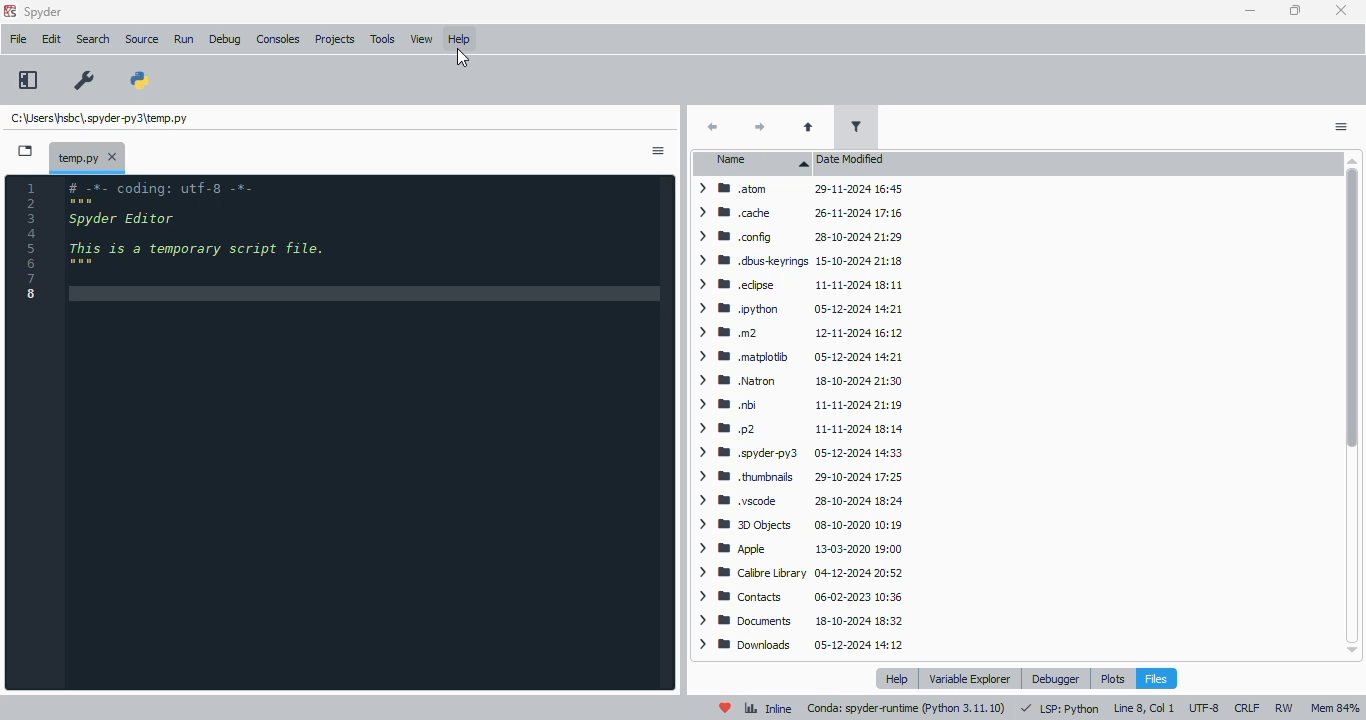 Image resolution: width=1366 pixels, height=720 pixels. What do you see at coordinates (797, 284) in the screenshot?
I see `> MW edipse 11-11-2024 18:11` at bounding box center [797, 284].